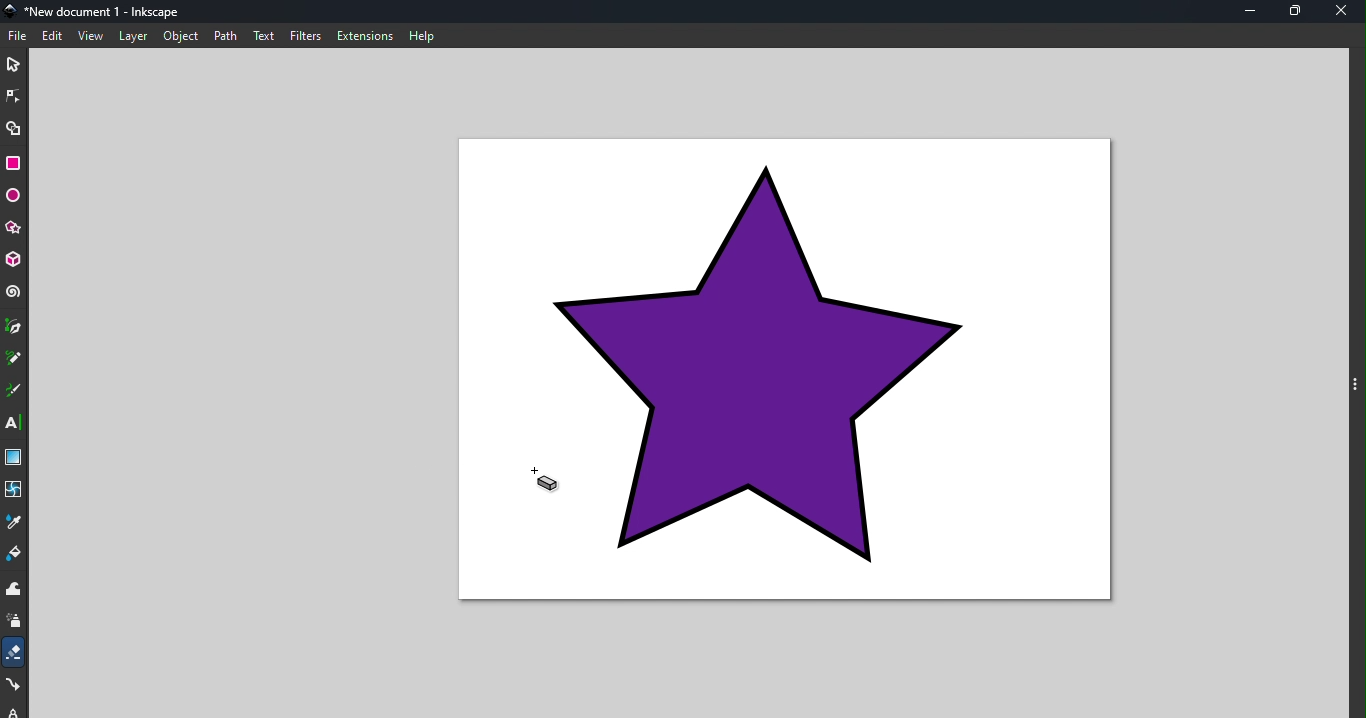  I want to click on filters, so click(307, 36).